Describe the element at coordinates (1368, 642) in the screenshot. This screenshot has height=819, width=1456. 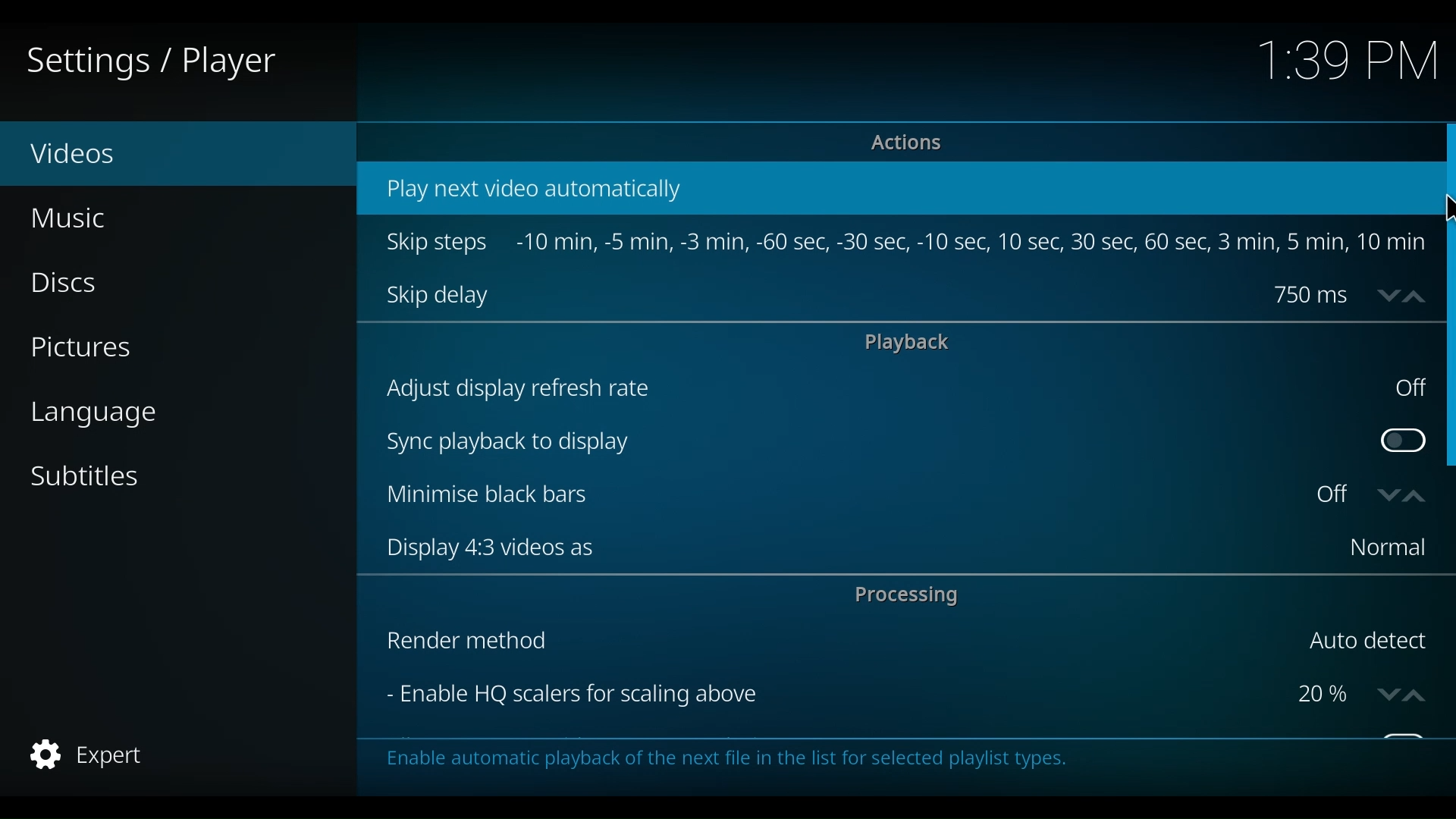
I see `Auto detect` at that location.